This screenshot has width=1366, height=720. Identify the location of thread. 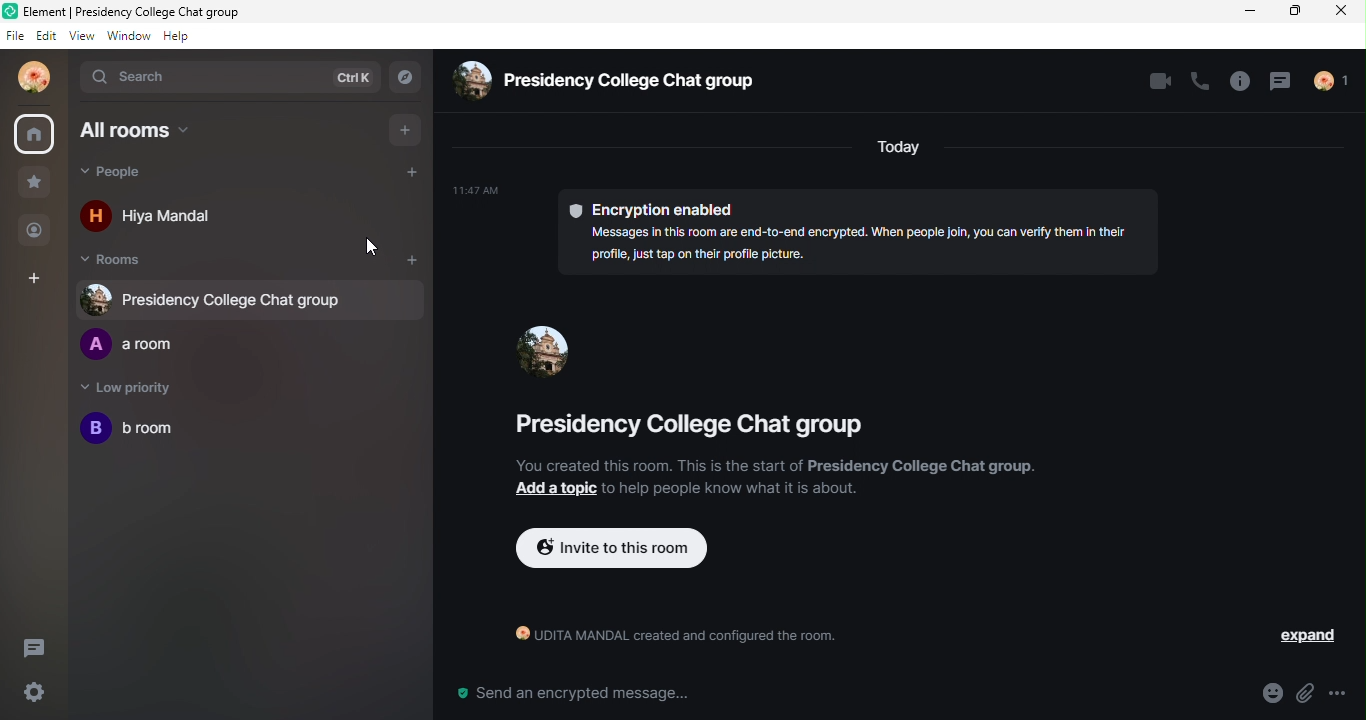
(1279, 83).